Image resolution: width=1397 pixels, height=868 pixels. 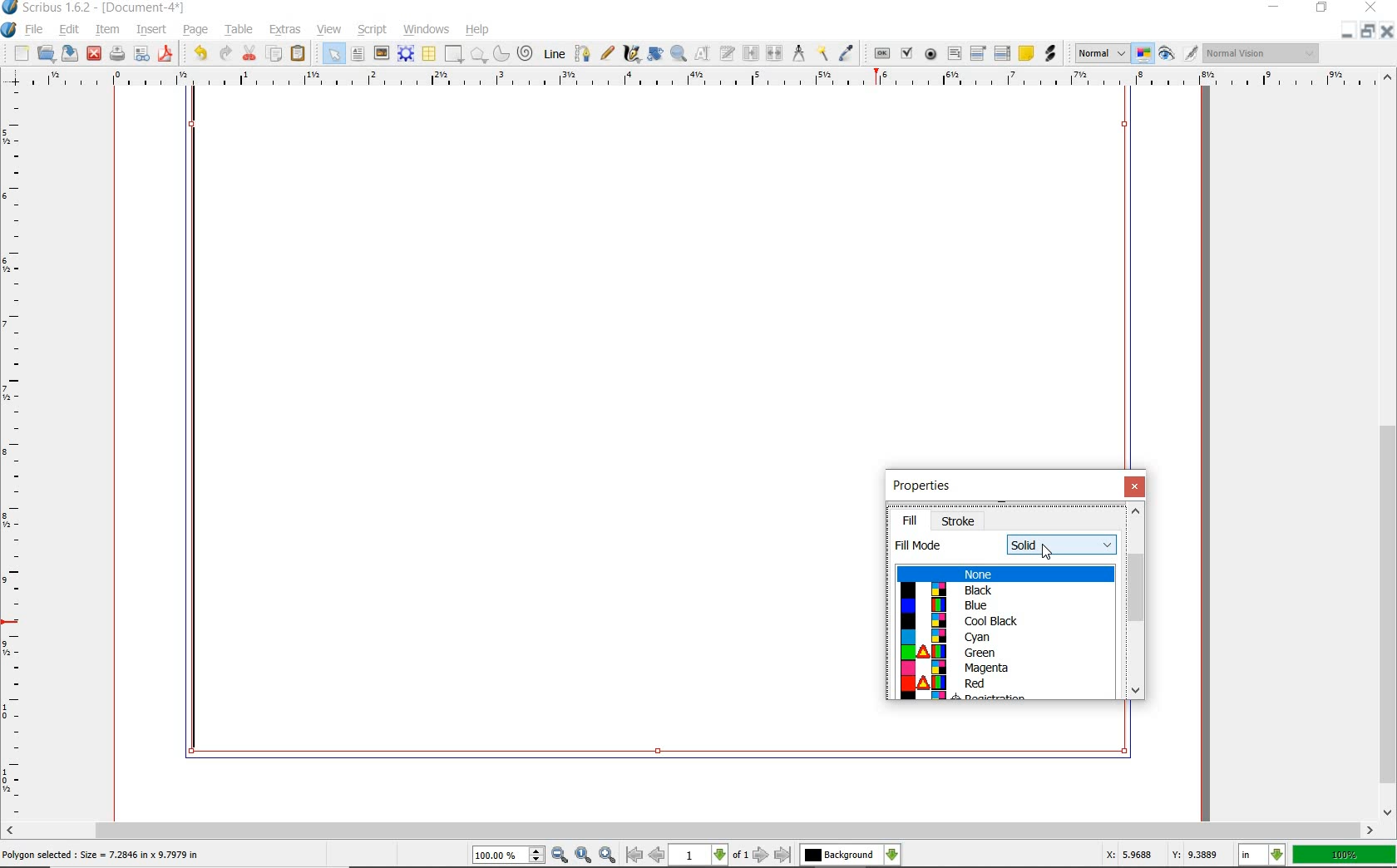 I want to click on link text frames, so click(x=748, y=52).